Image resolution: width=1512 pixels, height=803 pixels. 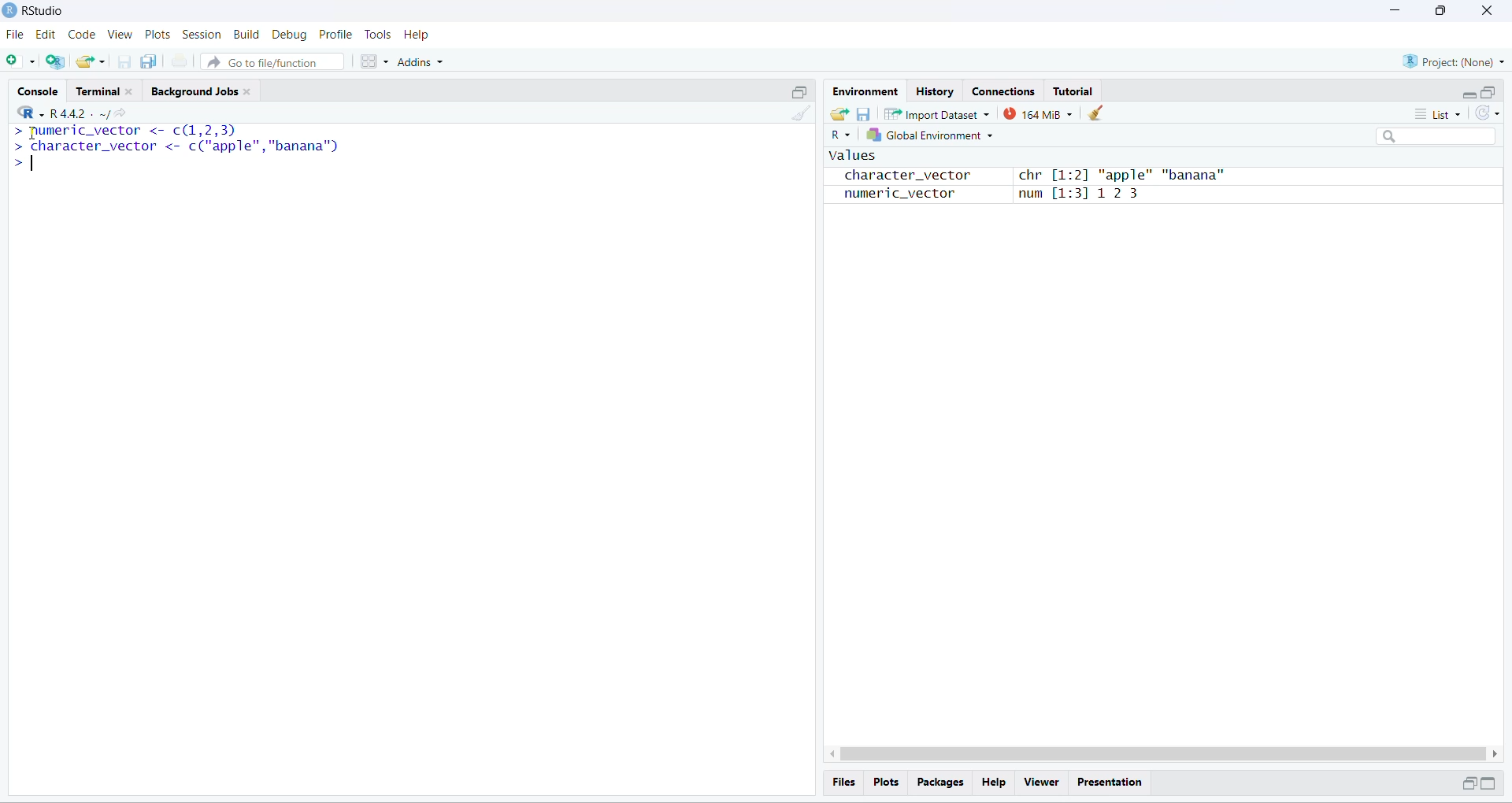 I want to click on edit, so click(x=45, y=35).